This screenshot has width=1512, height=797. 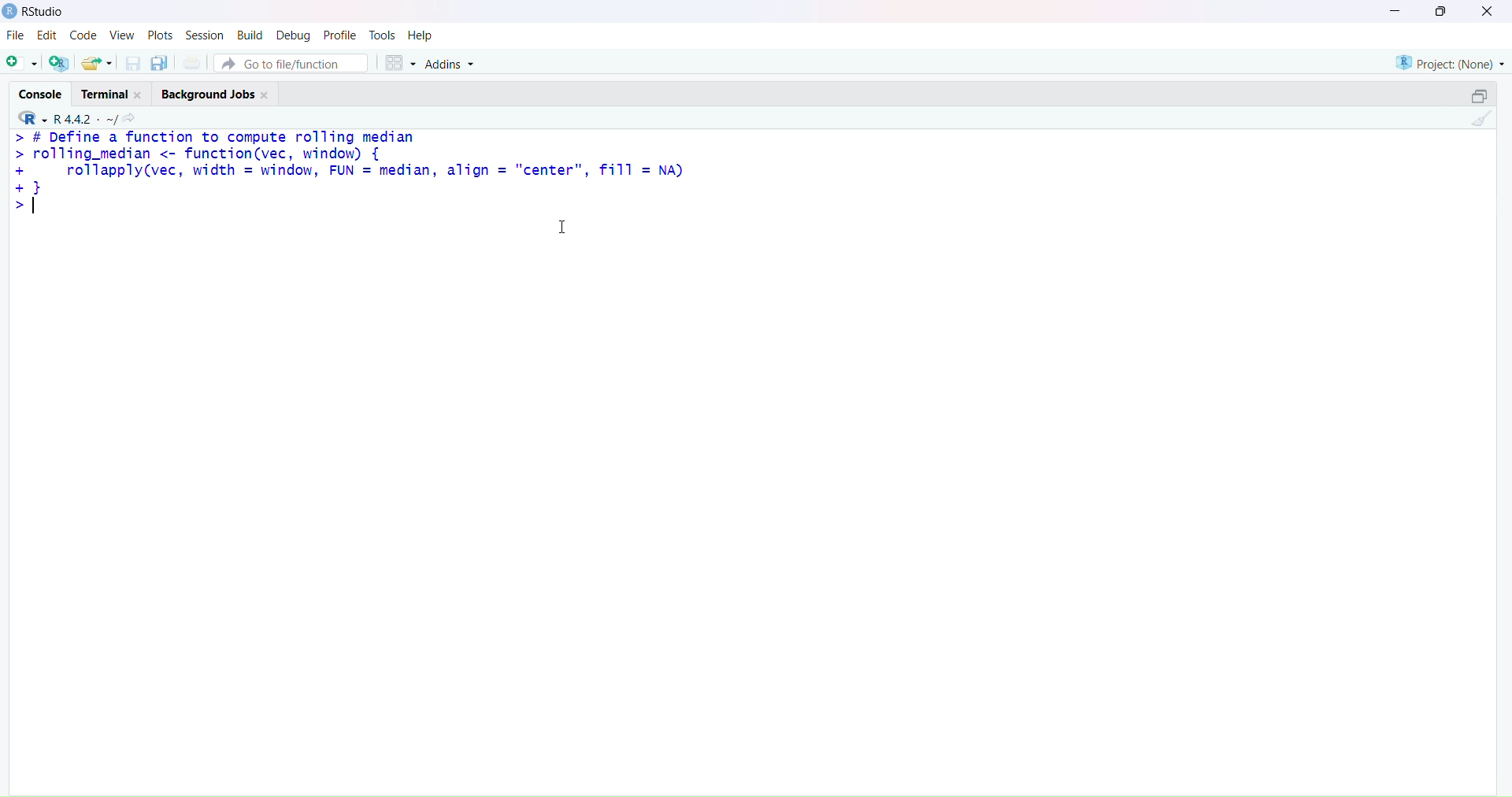 What do you see at coordinates (130, 117) in the screenshot?
I see `search icon` at bounding box center [130, 117].